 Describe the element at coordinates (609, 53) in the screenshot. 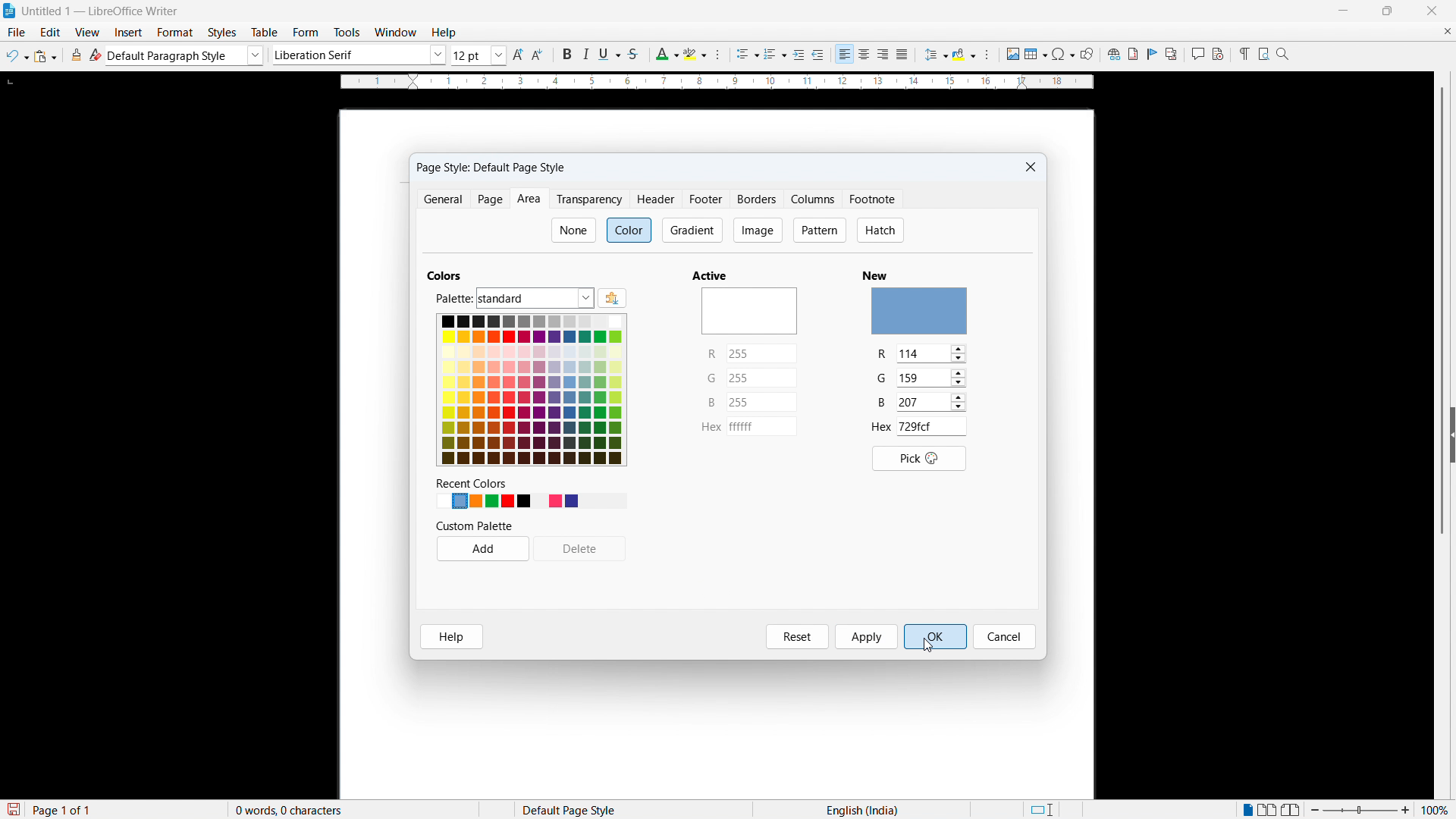

I see `Underline ` at that location.